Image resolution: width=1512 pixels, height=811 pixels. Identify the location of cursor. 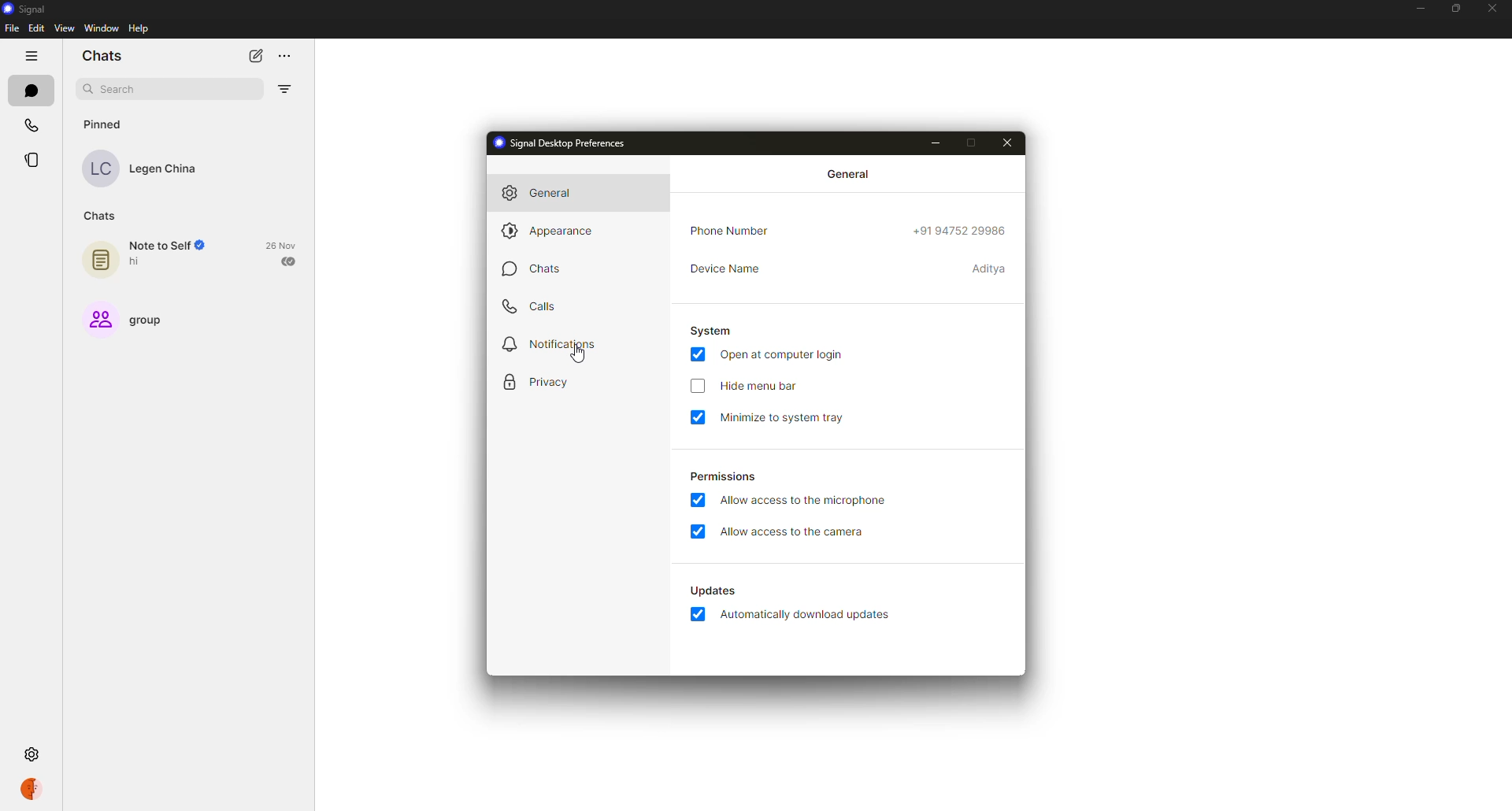
(580, 357).